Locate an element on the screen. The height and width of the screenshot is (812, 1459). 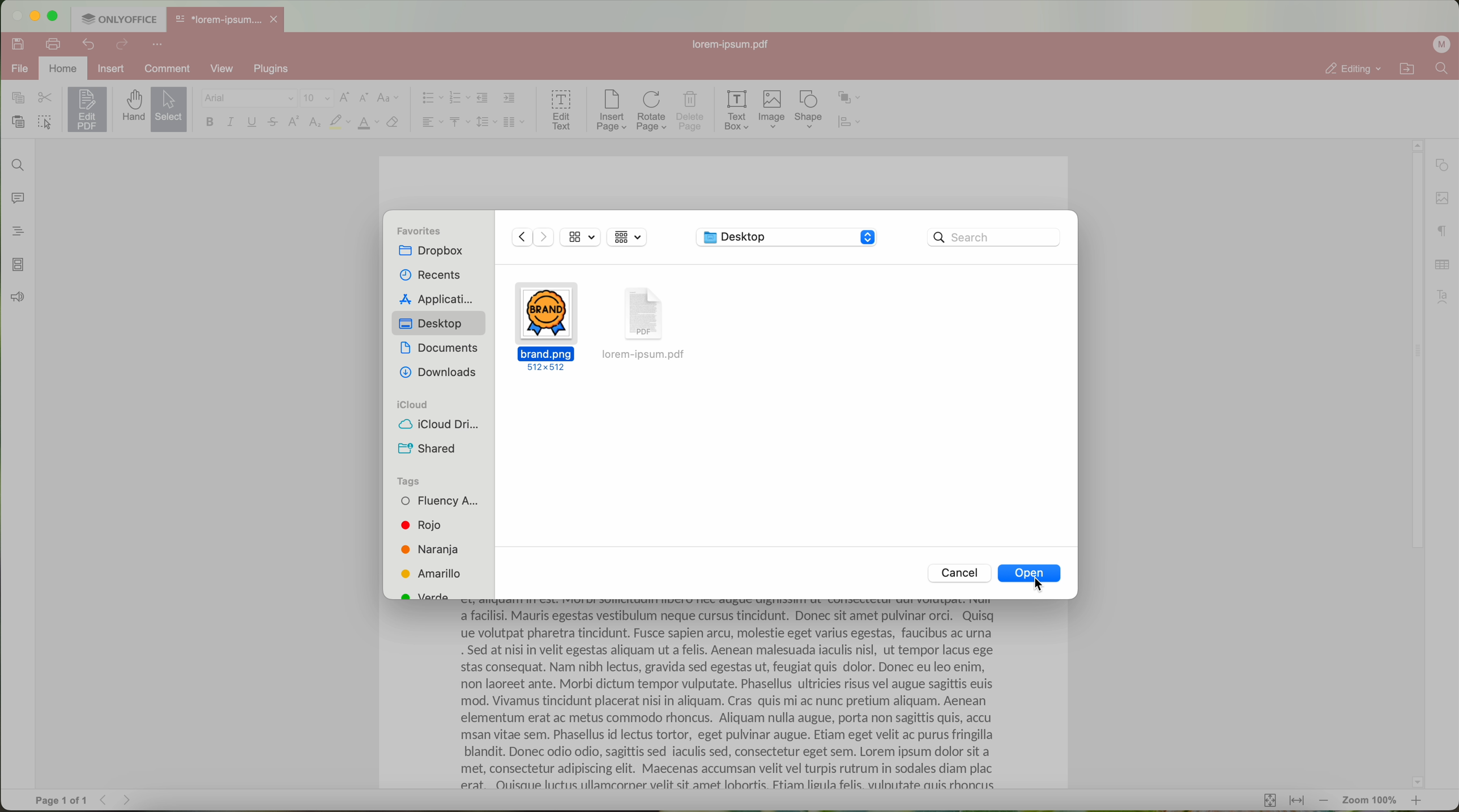
Desktop is located at coordinates (434, 324).